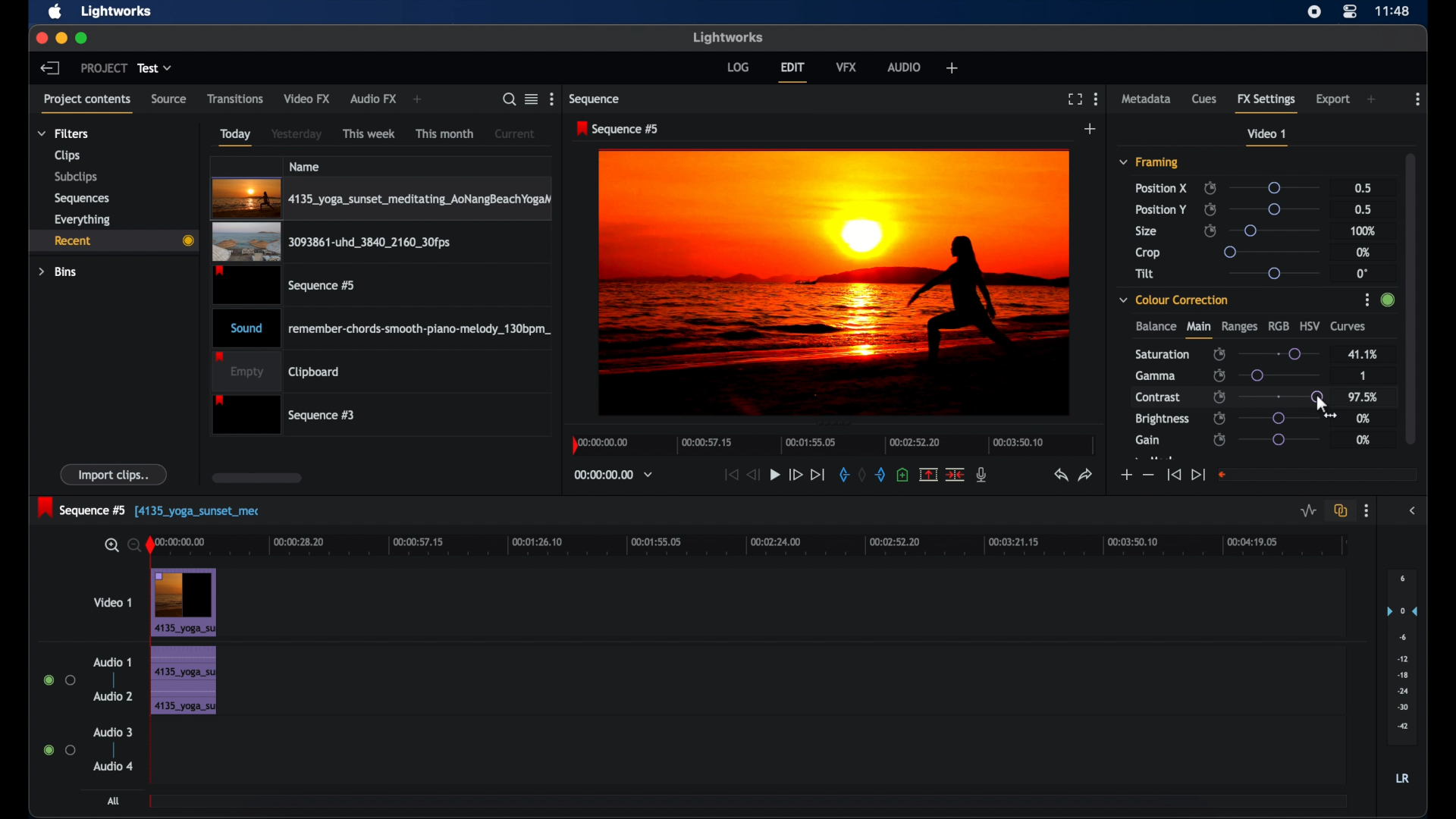 The image size is (1456, 819). I want to click on sidebar, so click(1414, 511).